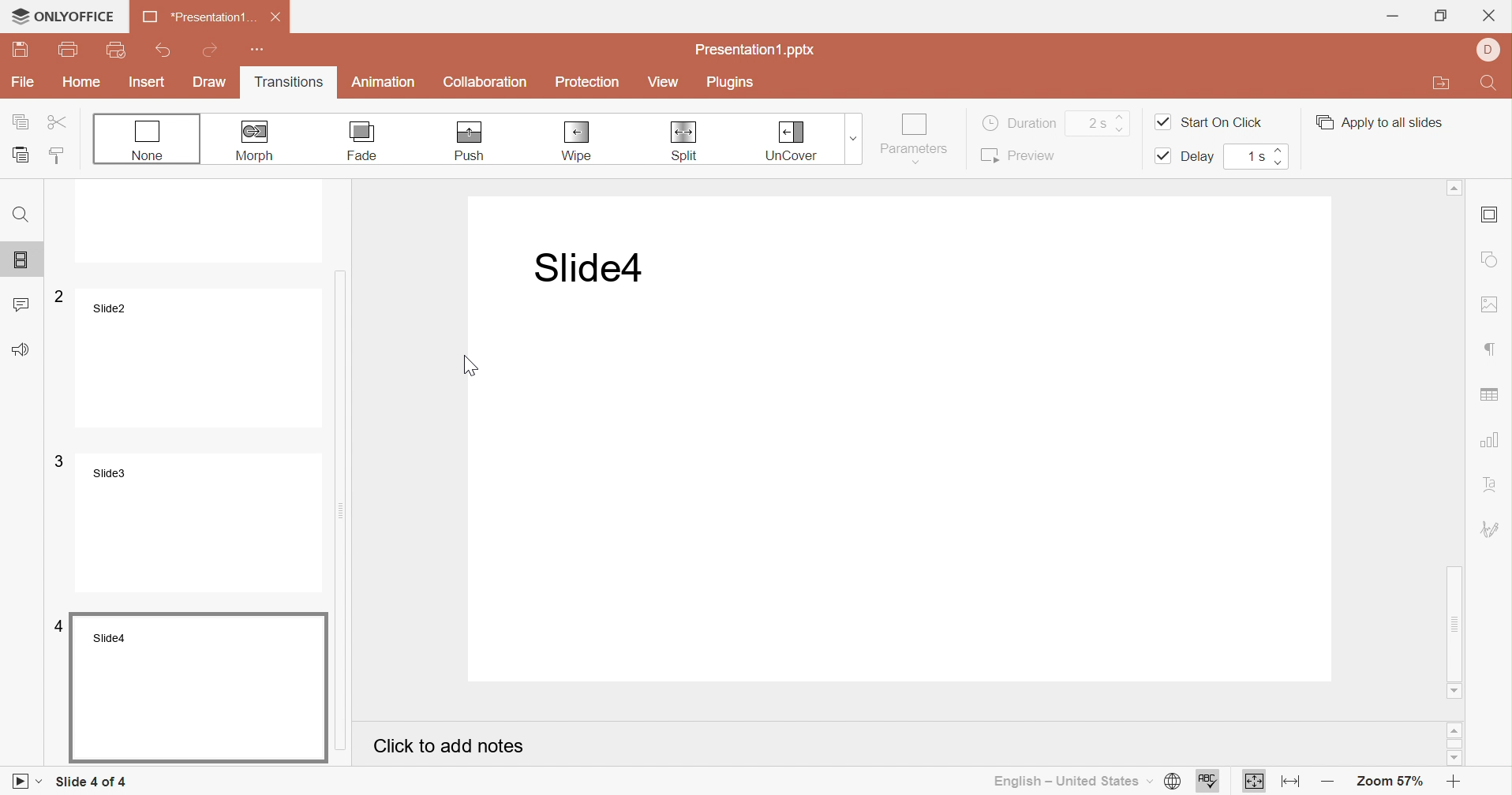 The width and height of the screenshot is (1512, 795). What do you see at coordinates (21, 304) in the screenshot?
I see `Comments` at bounding box center [21, 304].